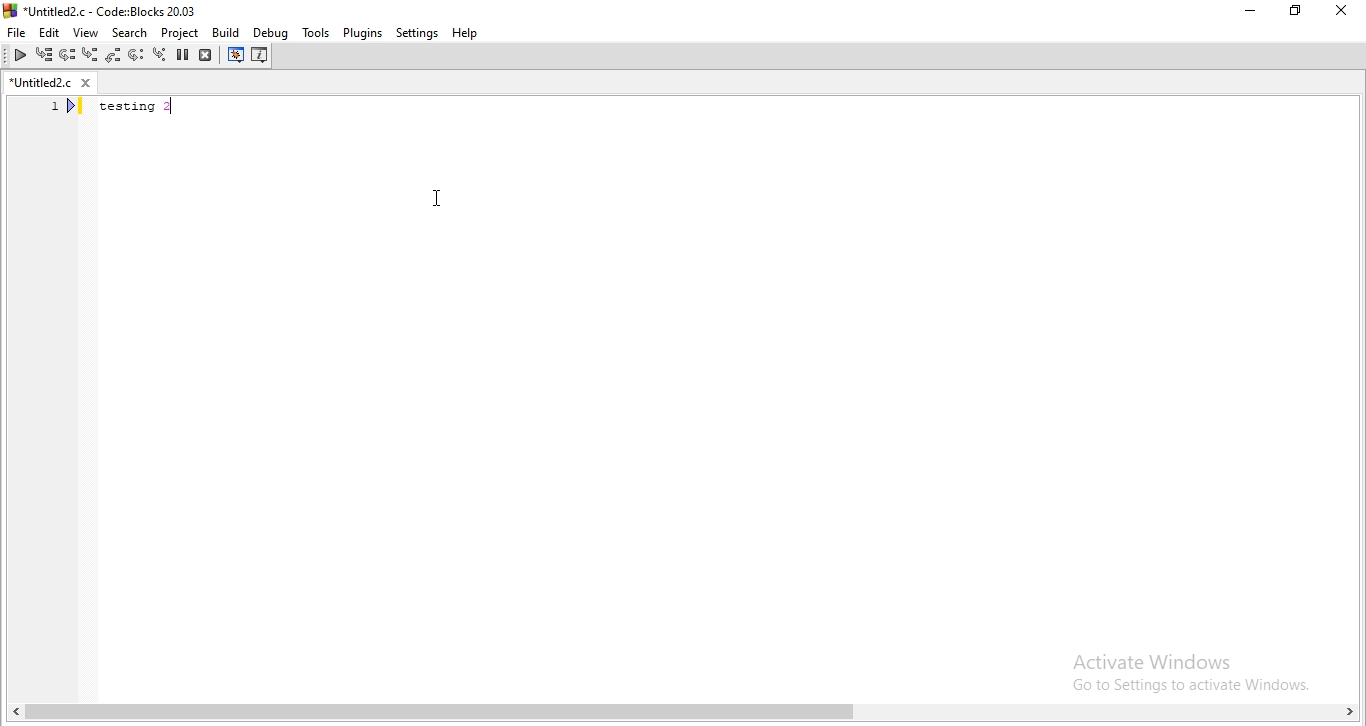 The image size is (1366, 726). I want to click on settings, so click(415, 32).